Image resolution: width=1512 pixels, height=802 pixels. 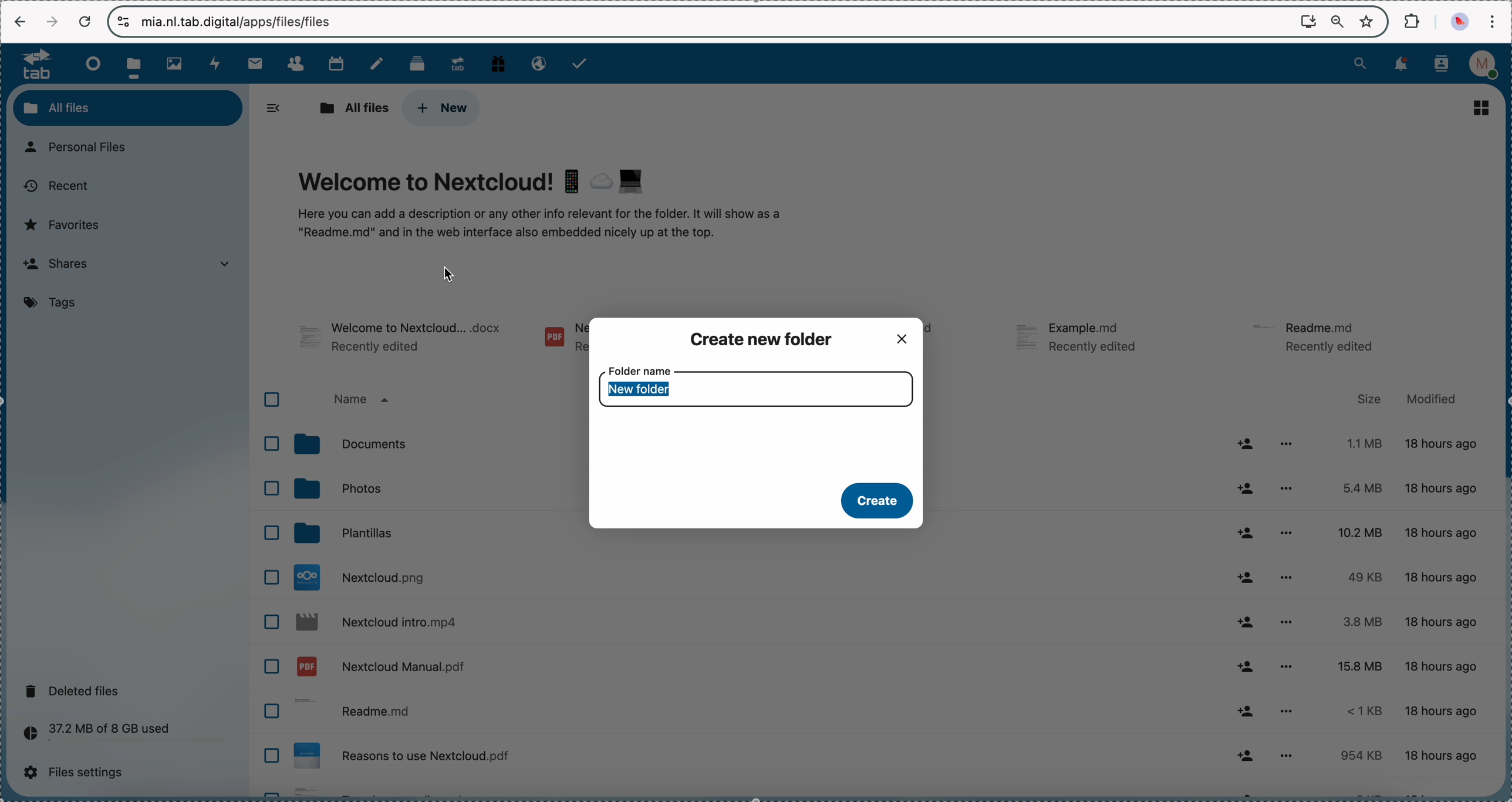 I want to click on screen, so click(x=1308, y=21).